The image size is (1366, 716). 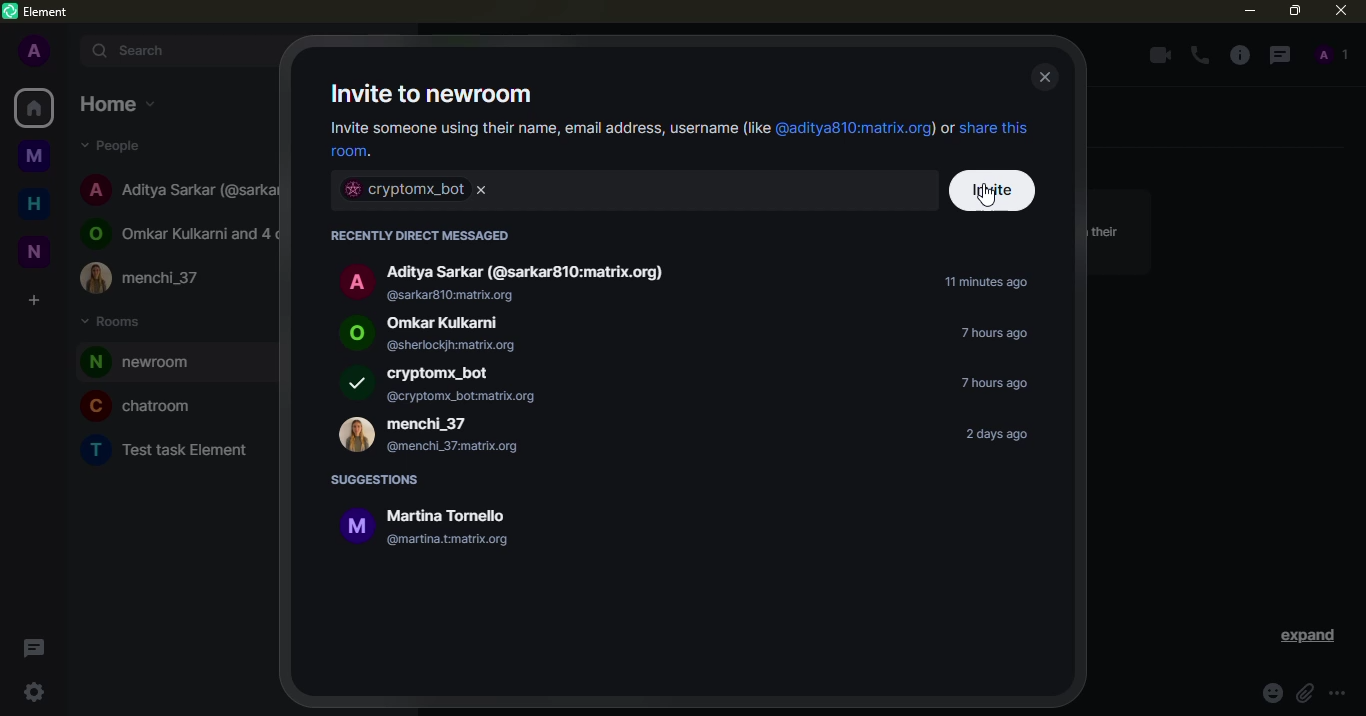 I want to click on video call, so click(x=1156, y=55).